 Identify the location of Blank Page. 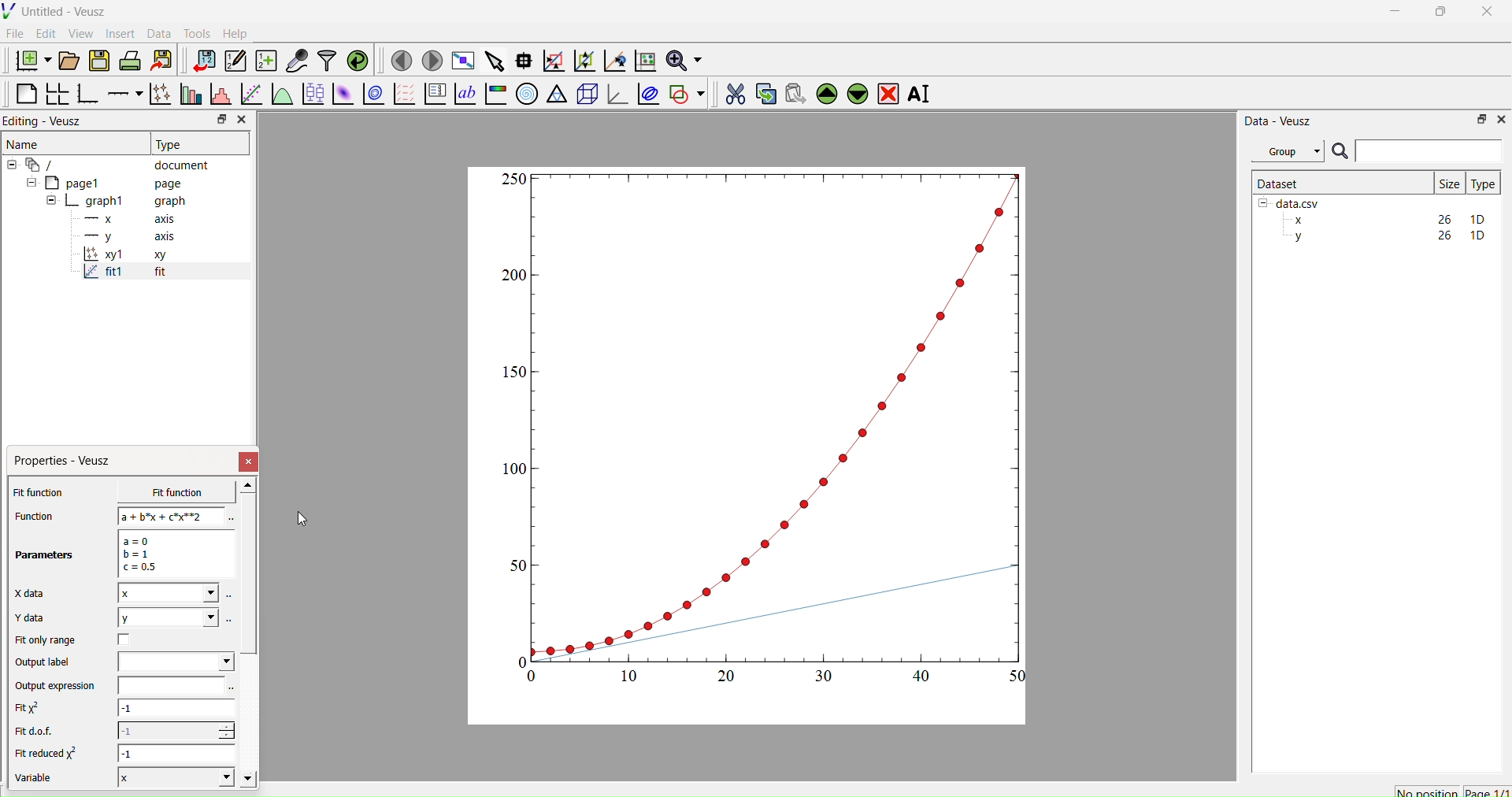
(26, 94).